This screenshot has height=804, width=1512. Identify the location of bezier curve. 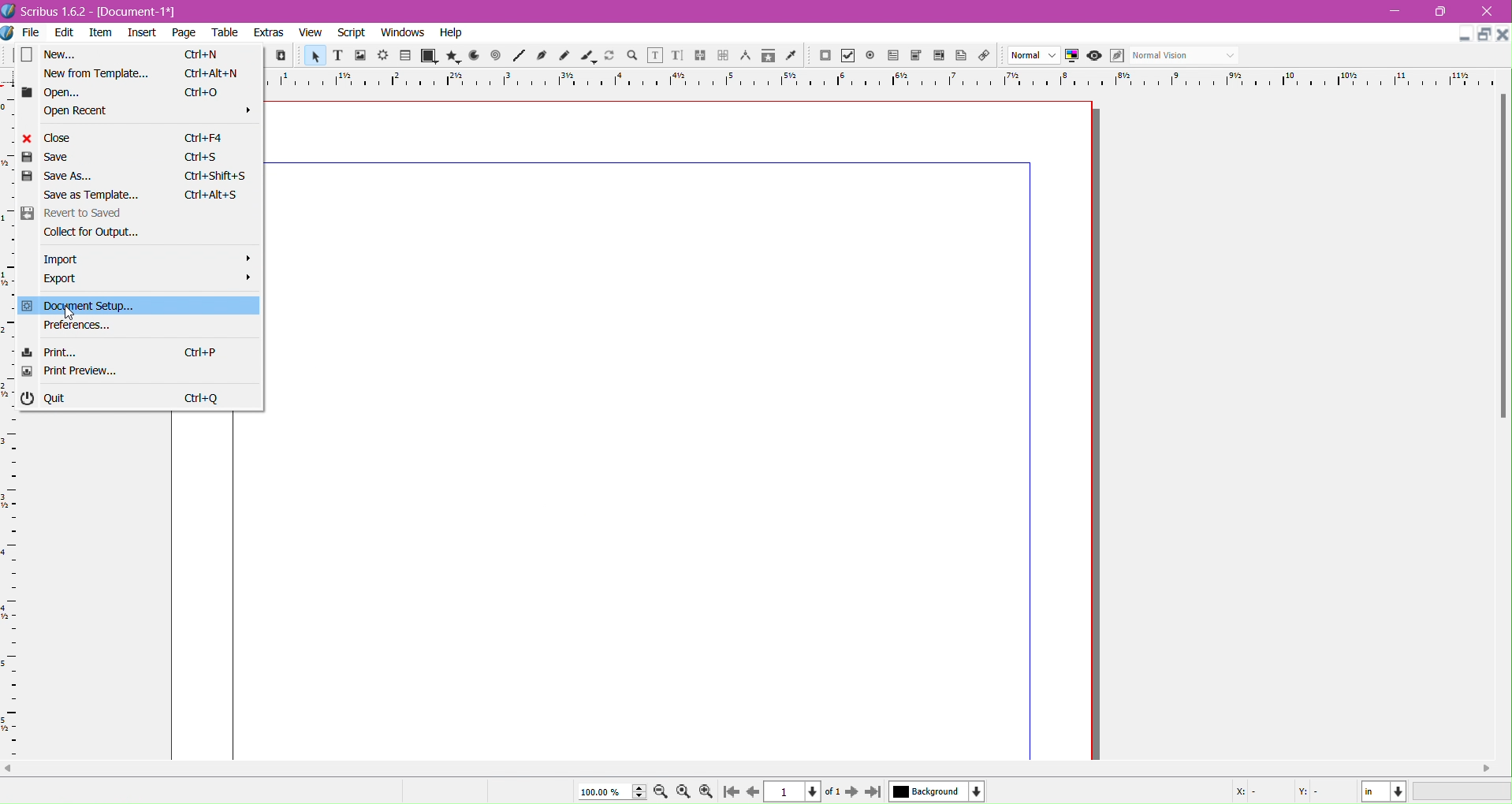
(543, 56).